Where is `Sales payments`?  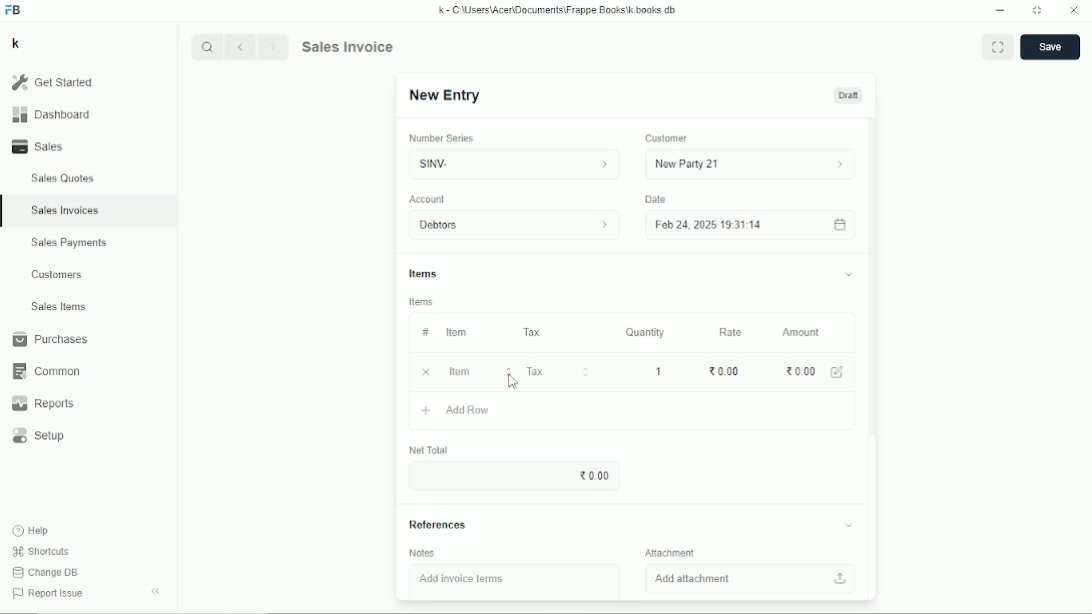
Sales payments is located at coordinates (72, 243).